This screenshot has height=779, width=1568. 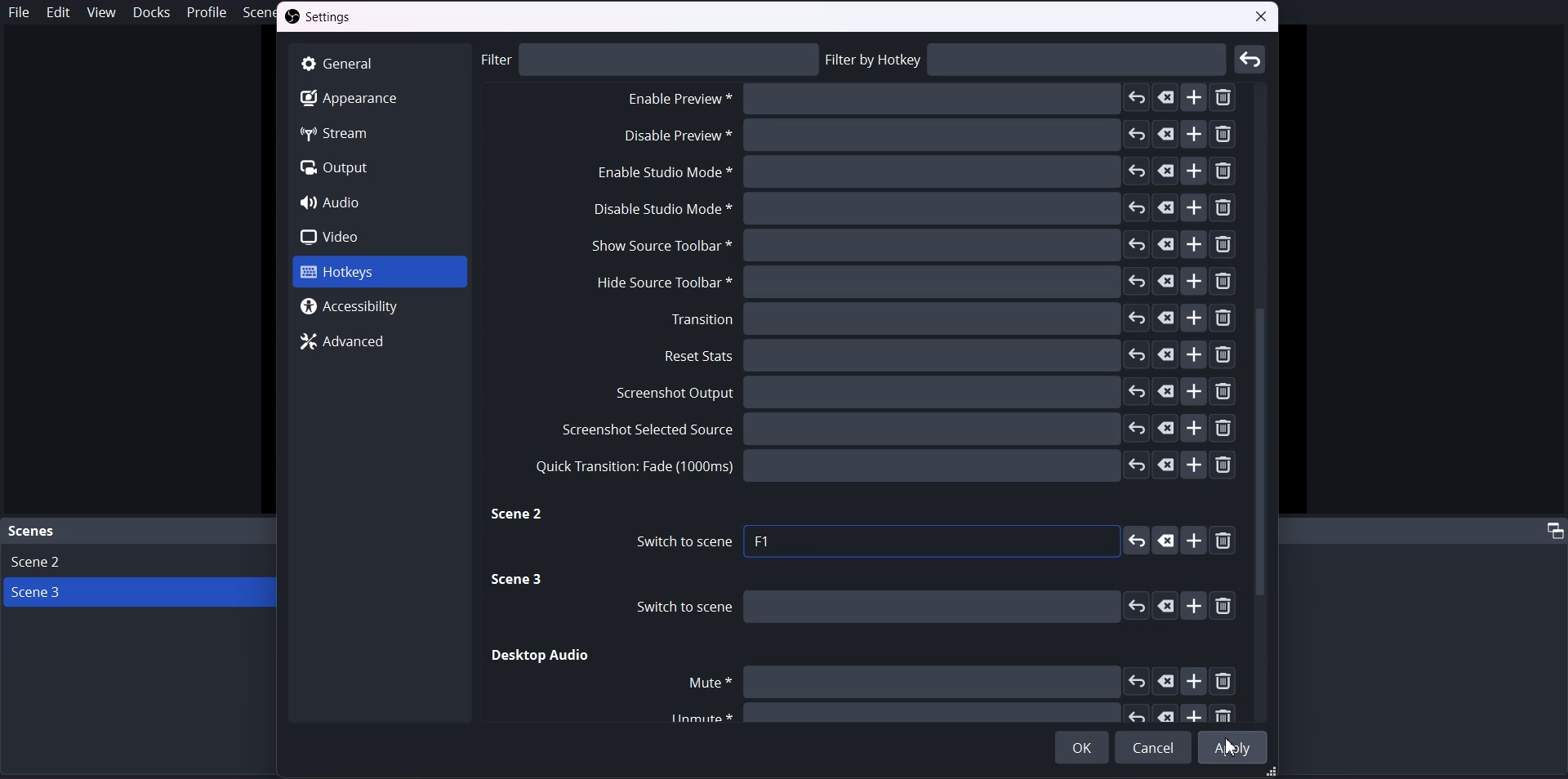 I want to click on Enable Studio Mode, so click(x=912, y=174).